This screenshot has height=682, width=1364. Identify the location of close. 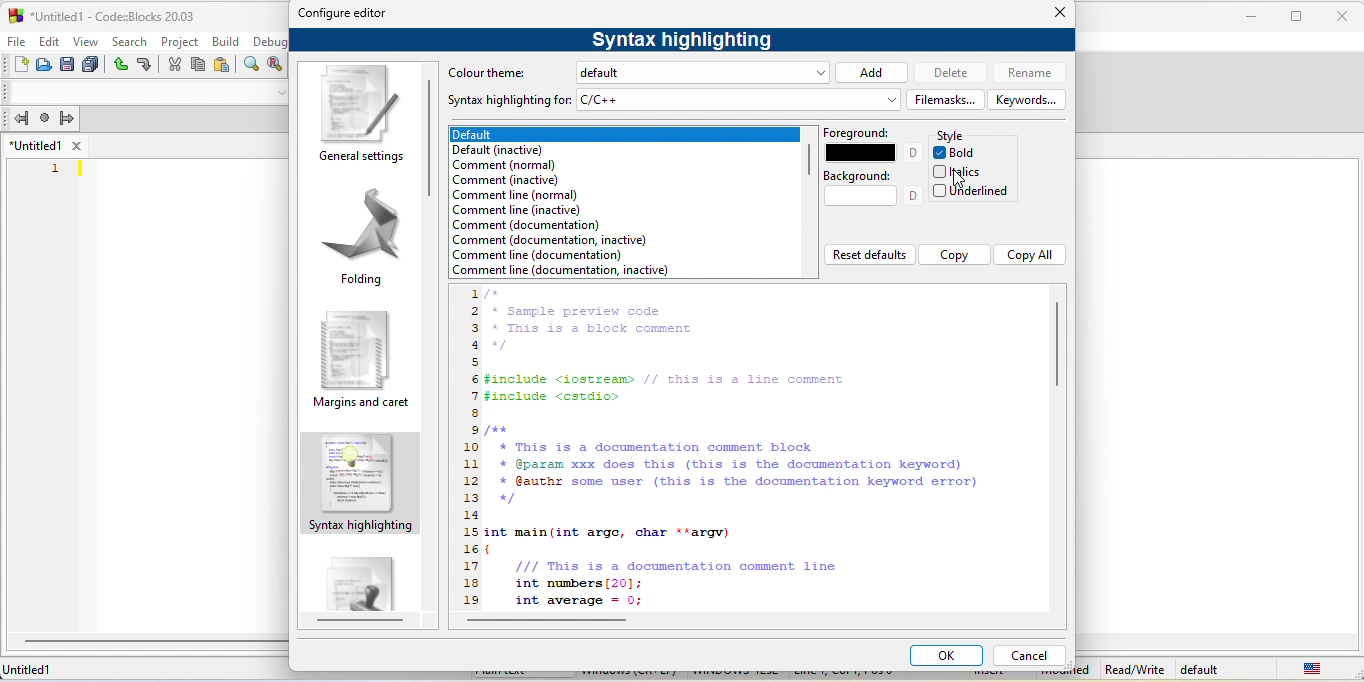
(1057, 12).